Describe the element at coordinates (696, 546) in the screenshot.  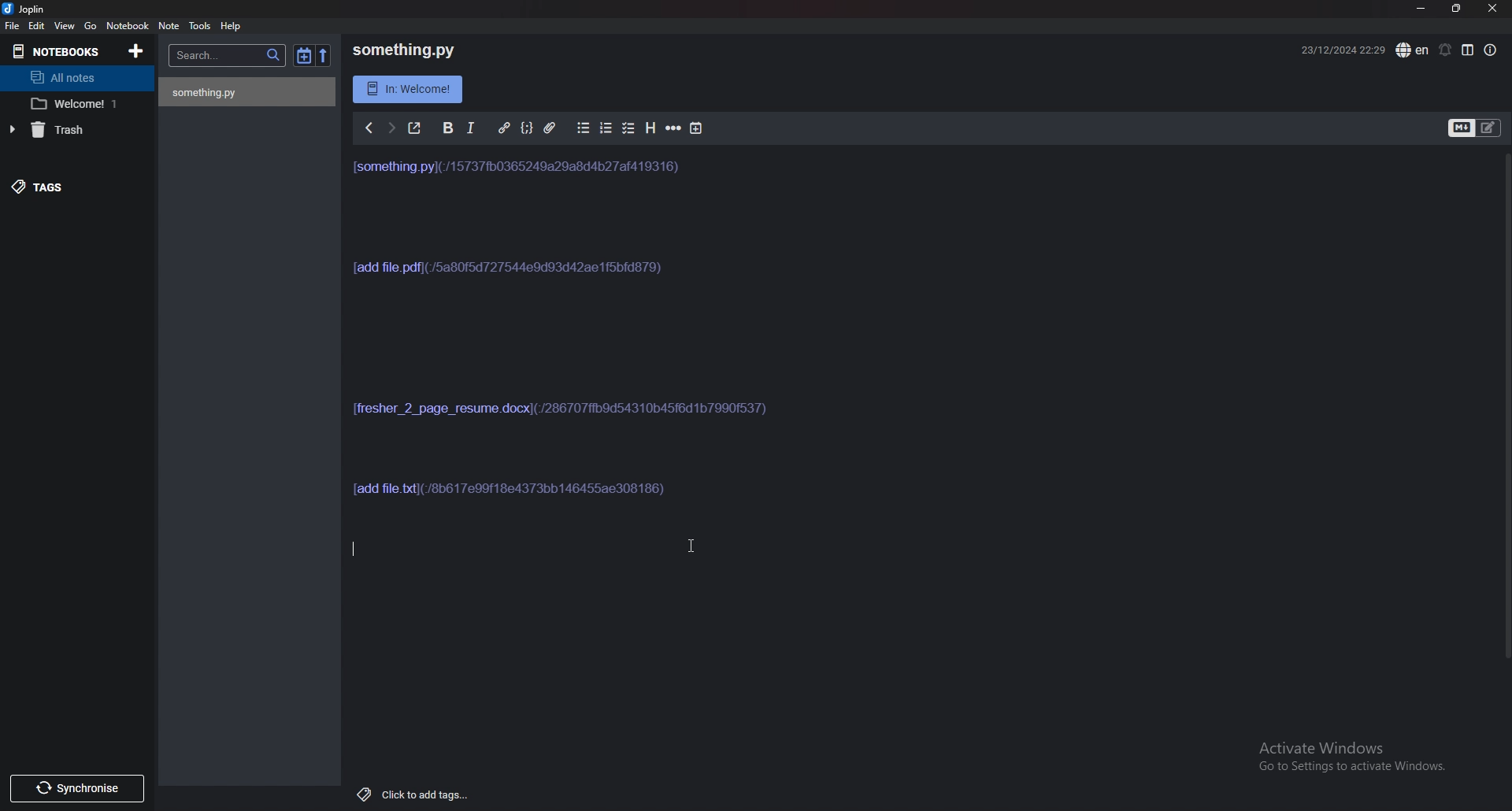
I see `cursor` at that location.